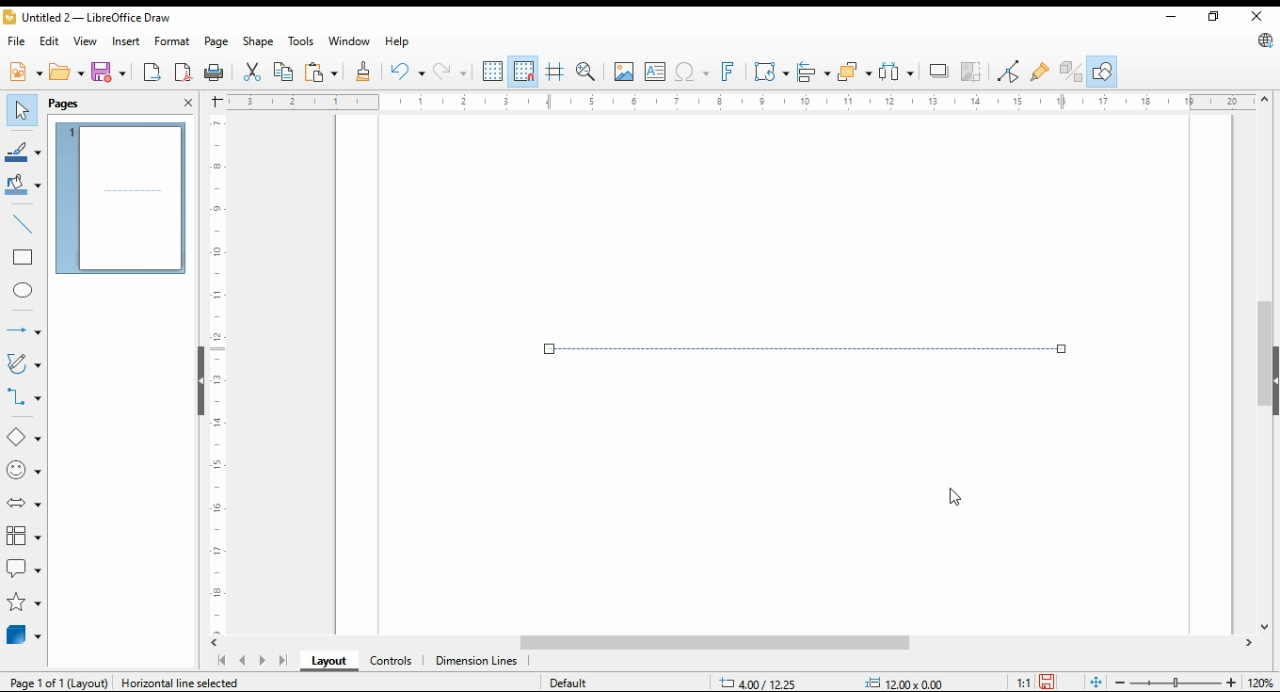 This screenshot has height=692, width=1280. Describe the element at coordinates (24, 566) in the screenshot. I see `callout shapes` at that location.